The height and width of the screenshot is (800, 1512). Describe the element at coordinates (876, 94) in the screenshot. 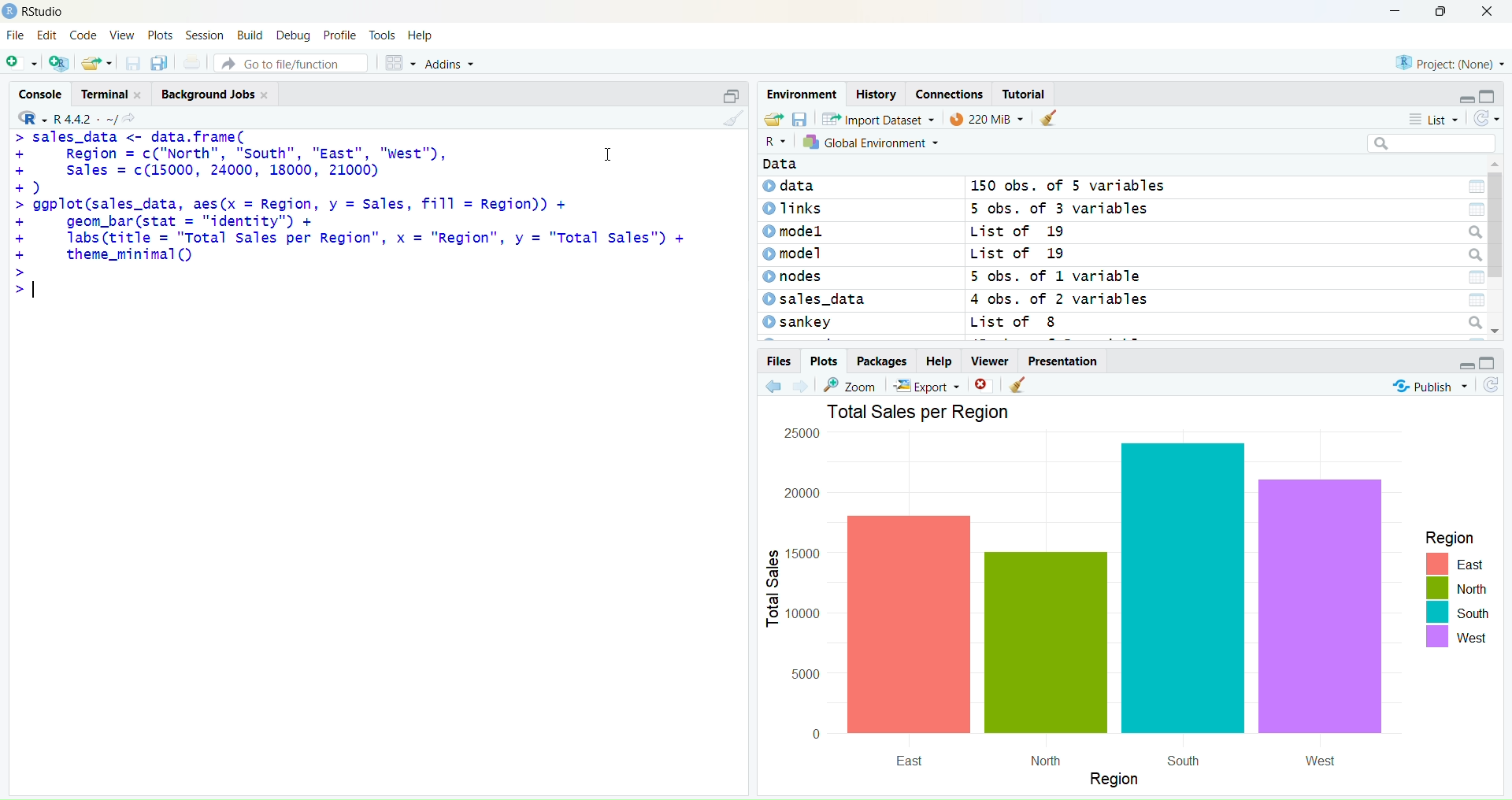

I see `History` at that location.